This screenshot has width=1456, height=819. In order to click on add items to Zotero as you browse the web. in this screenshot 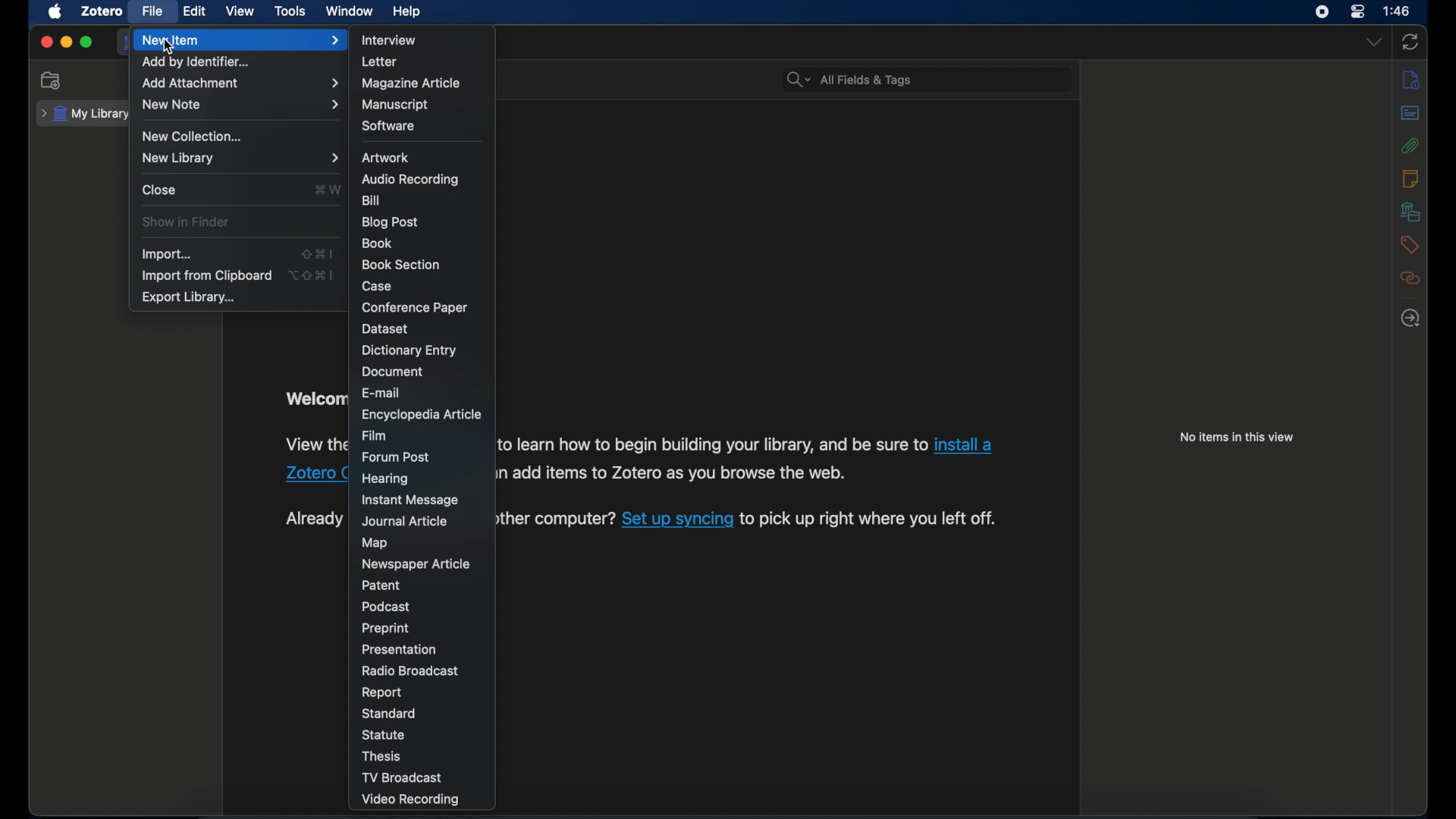, I will do `click(684, 472)`.